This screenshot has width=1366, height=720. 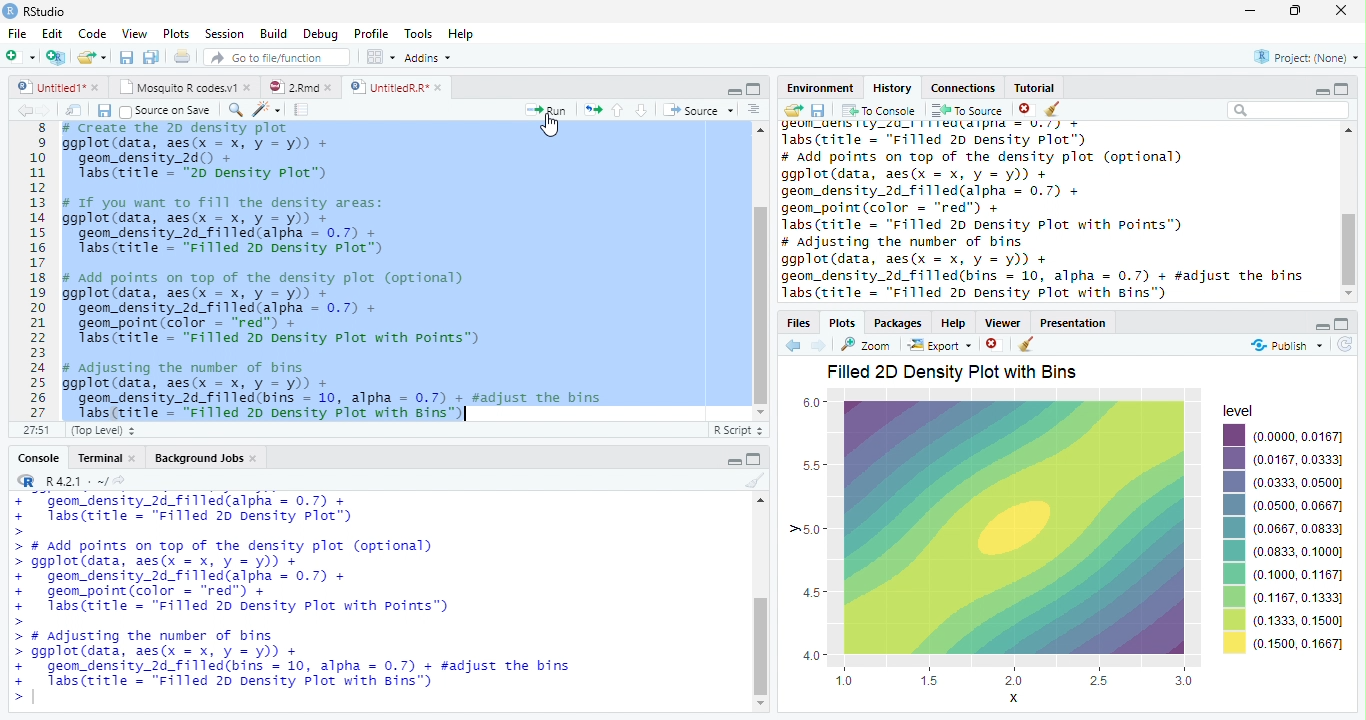 I want to click on close, so click(x=440, y=87).